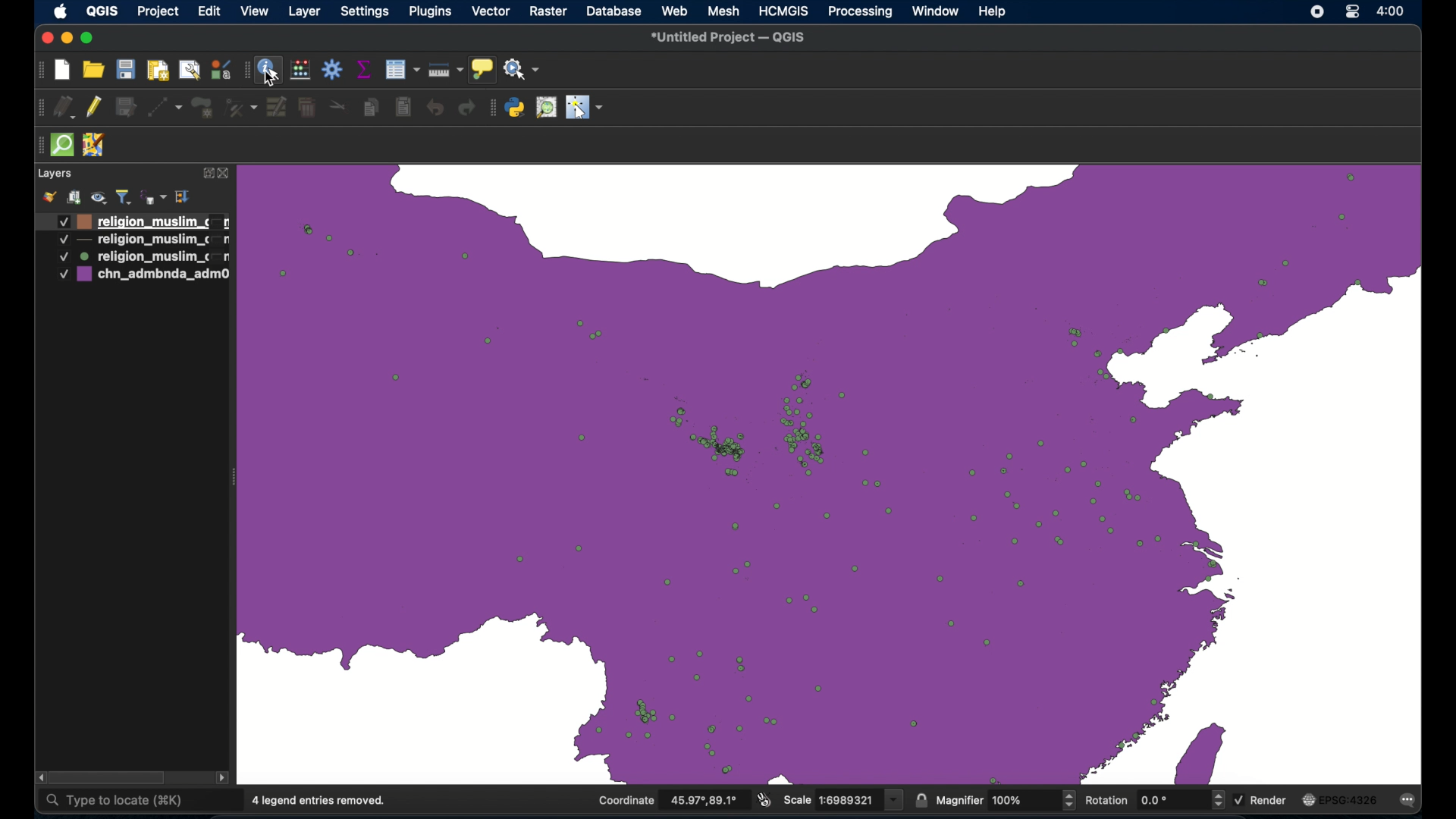 The height and width of the screenshot is (819, 1456). What do you see at coordinates (447, 70) in the screenshot?
I see `measure line` at bounding box center [447, 70].